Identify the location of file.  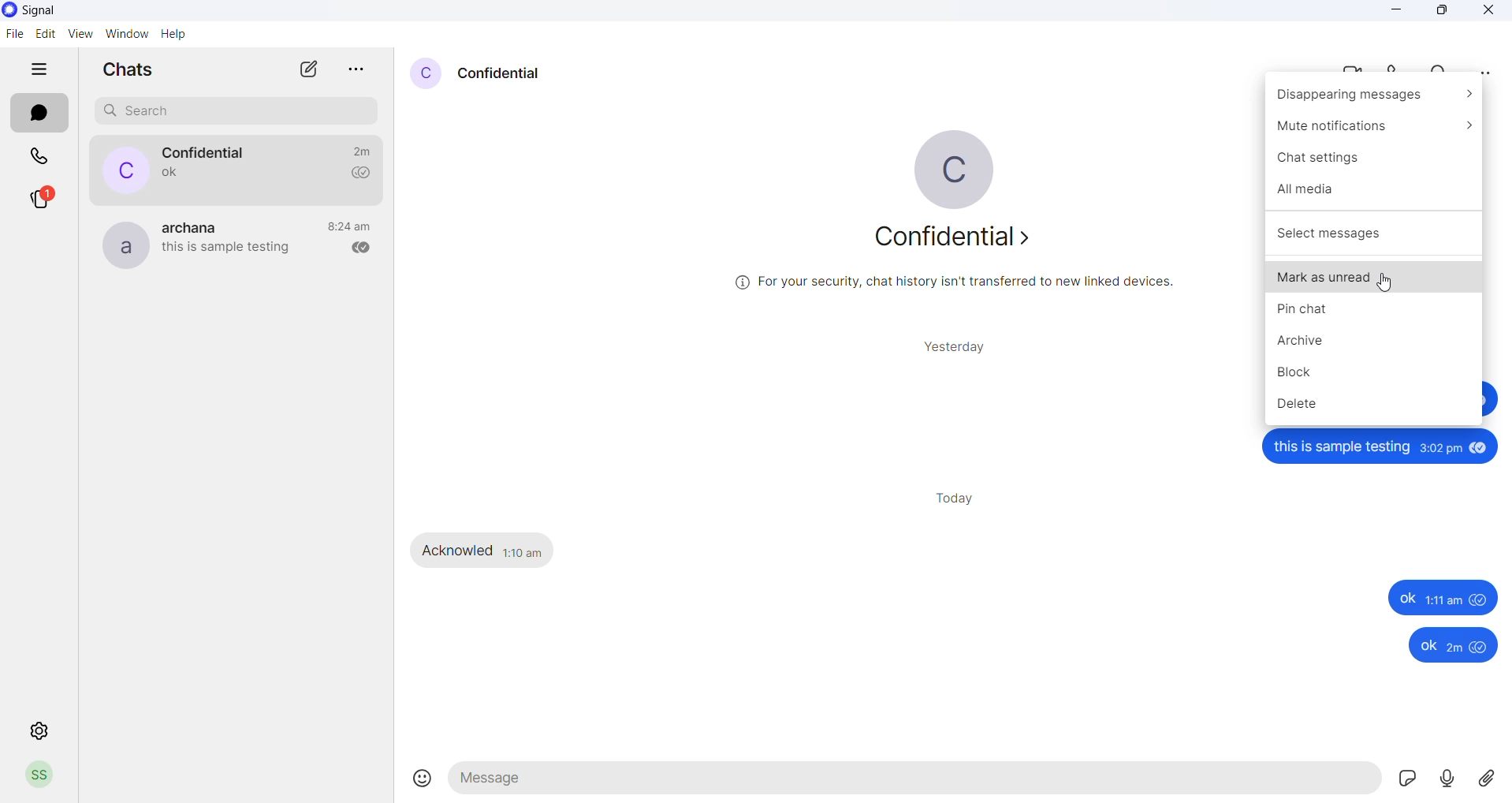
(14, 37).